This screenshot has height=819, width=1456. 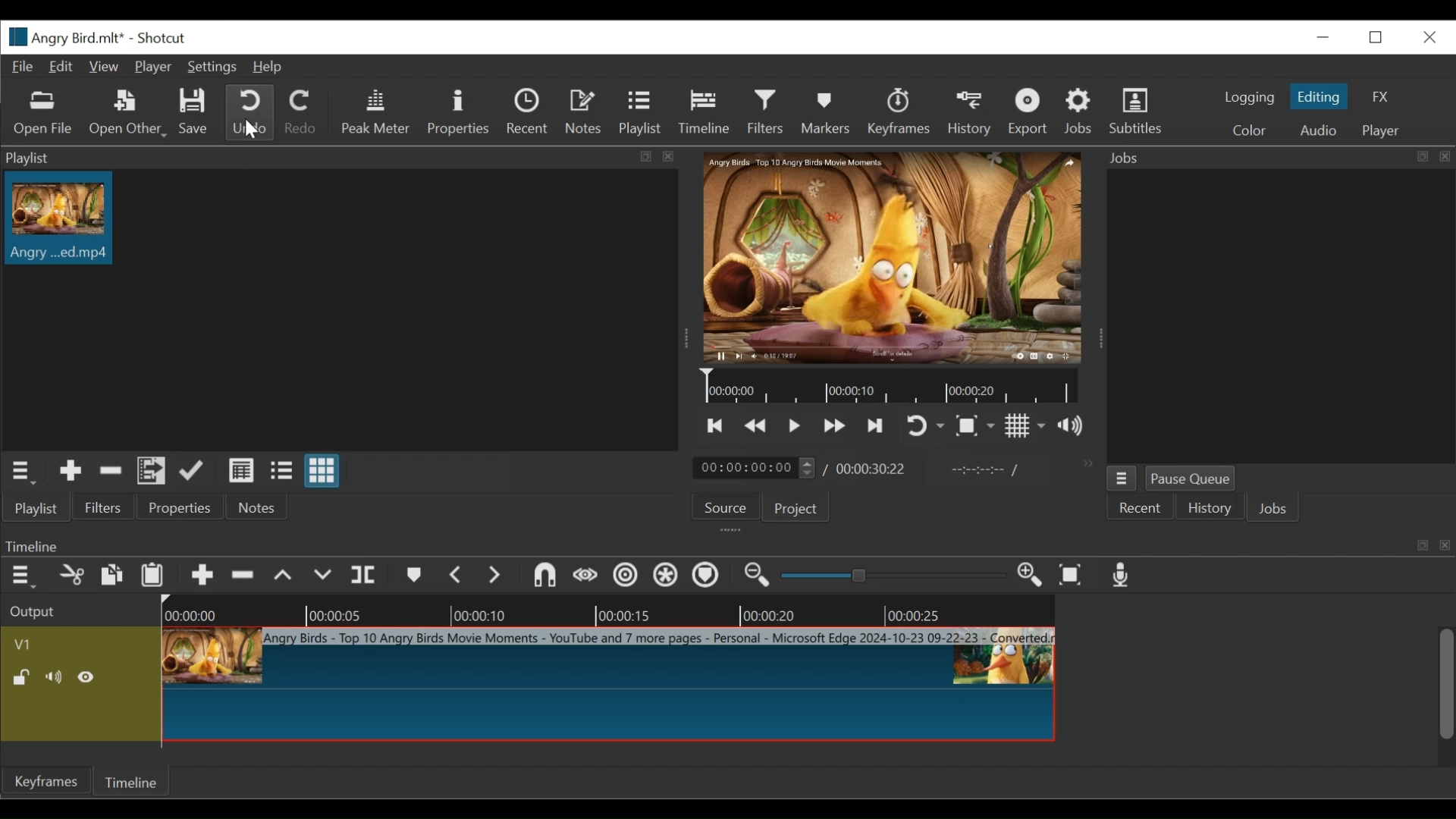 What do you see at coordinates (1446, 684) in the screenshot?
I see `Vertical Scroll bar` at bounding box center [1446, 684].